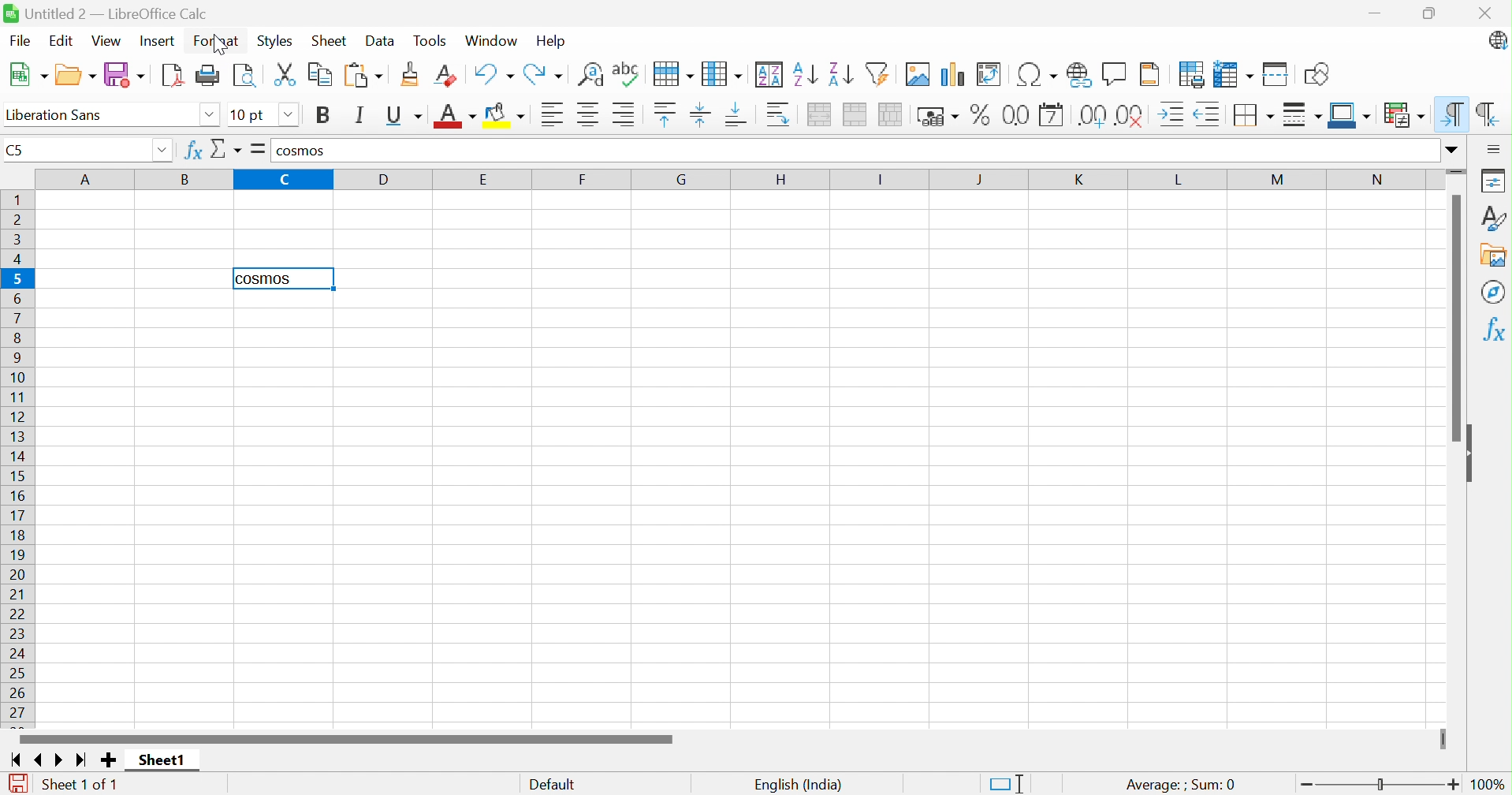 The image size is (1512, 795). What do you see at coordinates (1019, 116) in the screenshot?
I see `Format as number` at bounding box center [1019, 116].